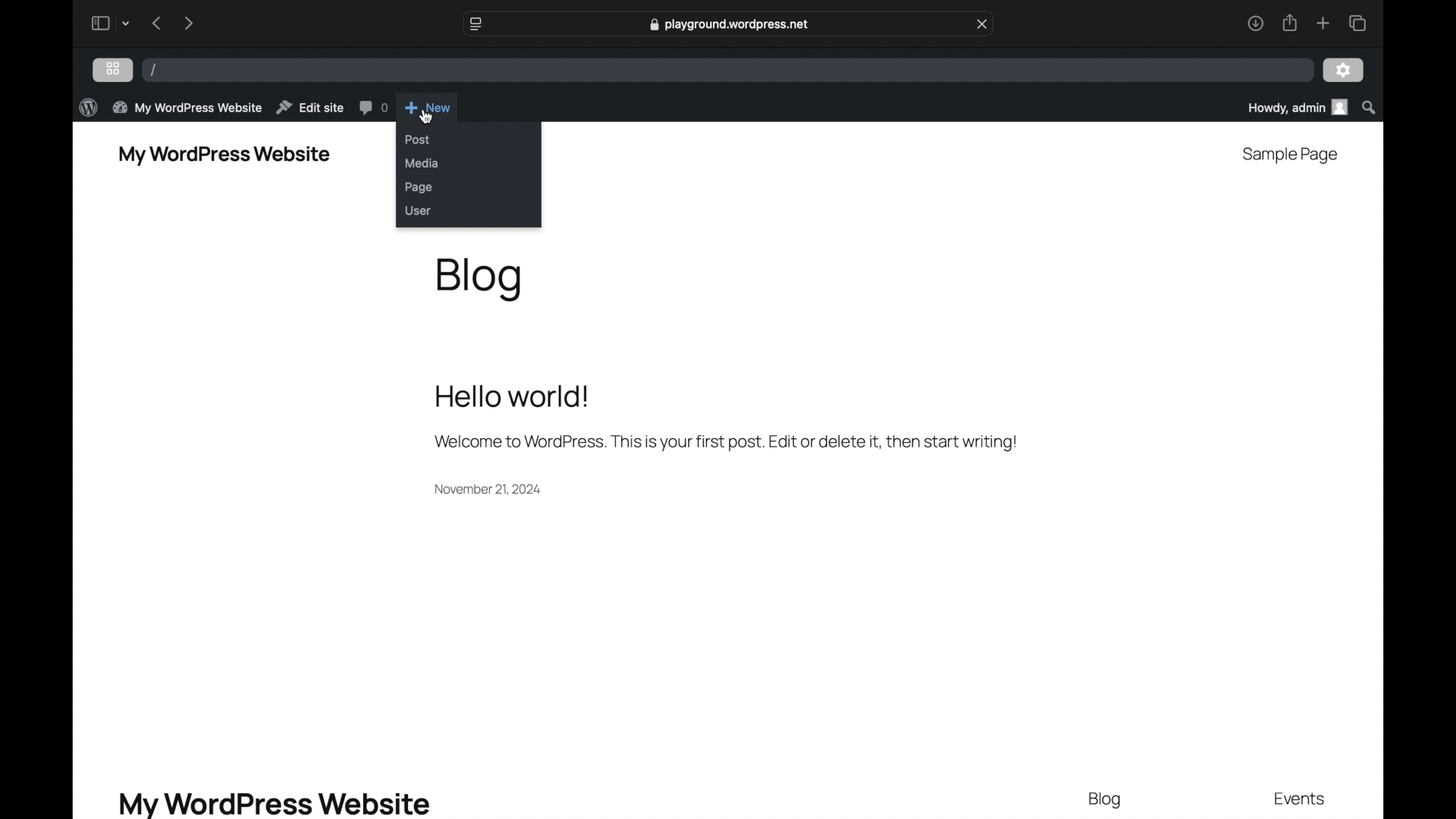  What do you see at coordinates (482, 278) in the screenshot?
I see `blog` at bounding box center [482, 278].